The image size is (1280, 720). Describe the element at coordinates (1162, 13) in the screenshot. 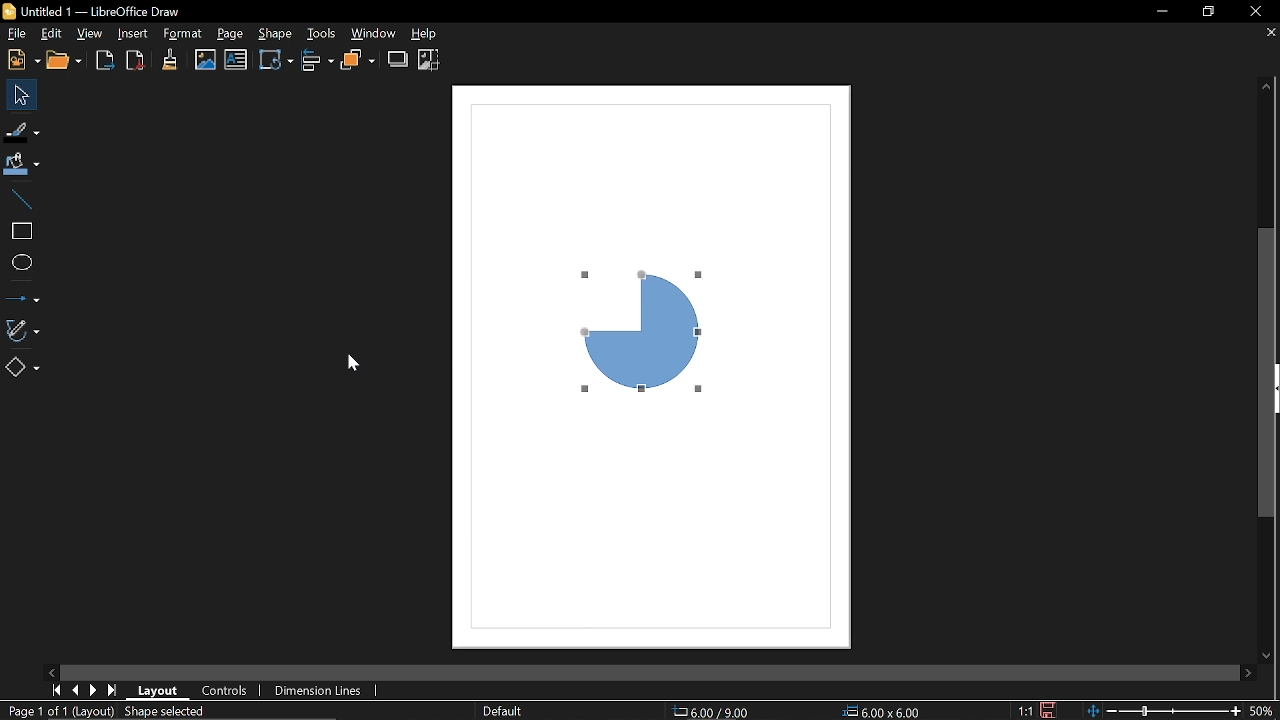

I see `Minimize` at that location.